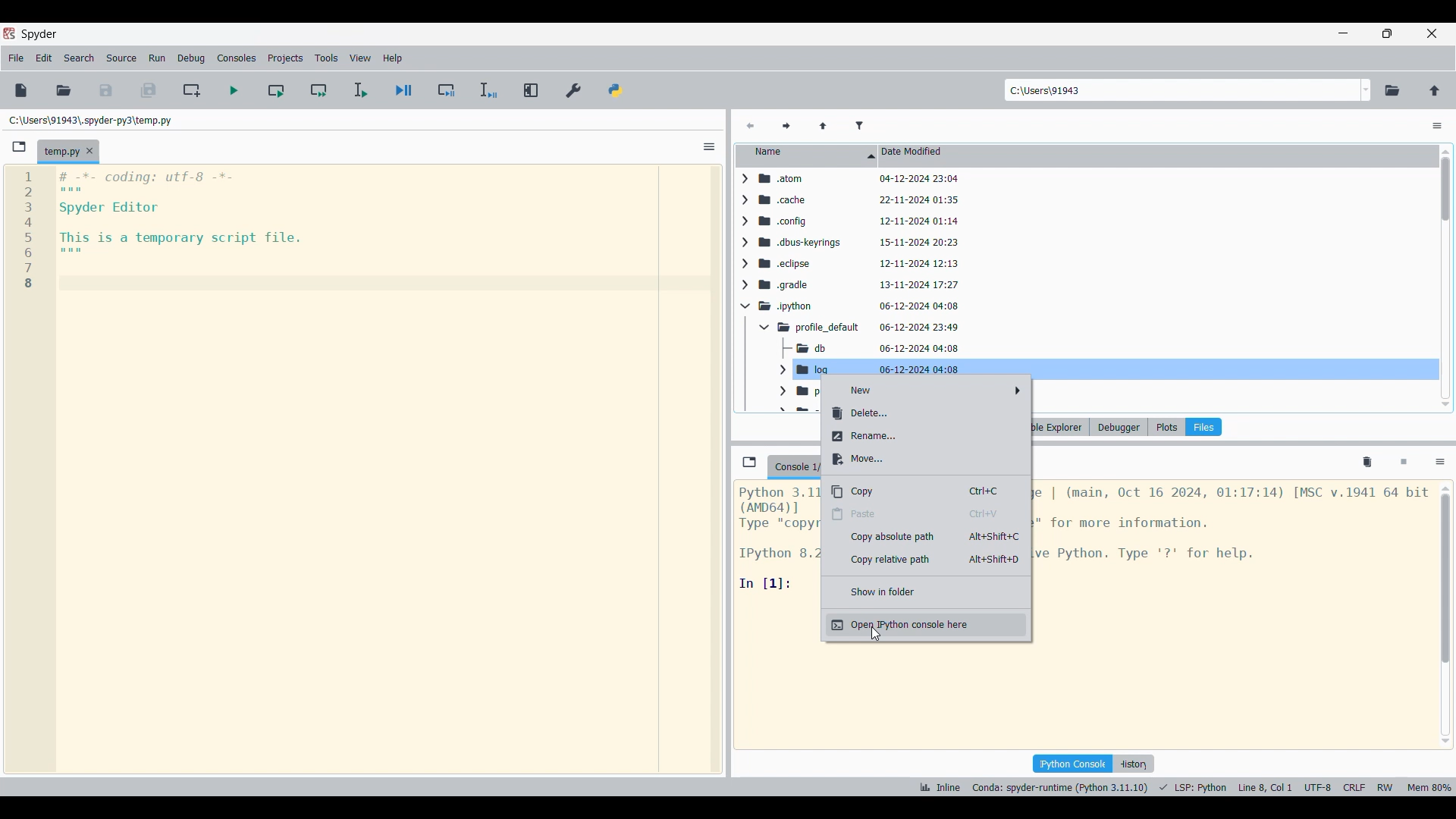 The height and width of the screenshot is (819, 1456). What do you see at coordinates (1432, 33) in the screenshot?
I see `Close interface ` at bounding box center [1432, 33].